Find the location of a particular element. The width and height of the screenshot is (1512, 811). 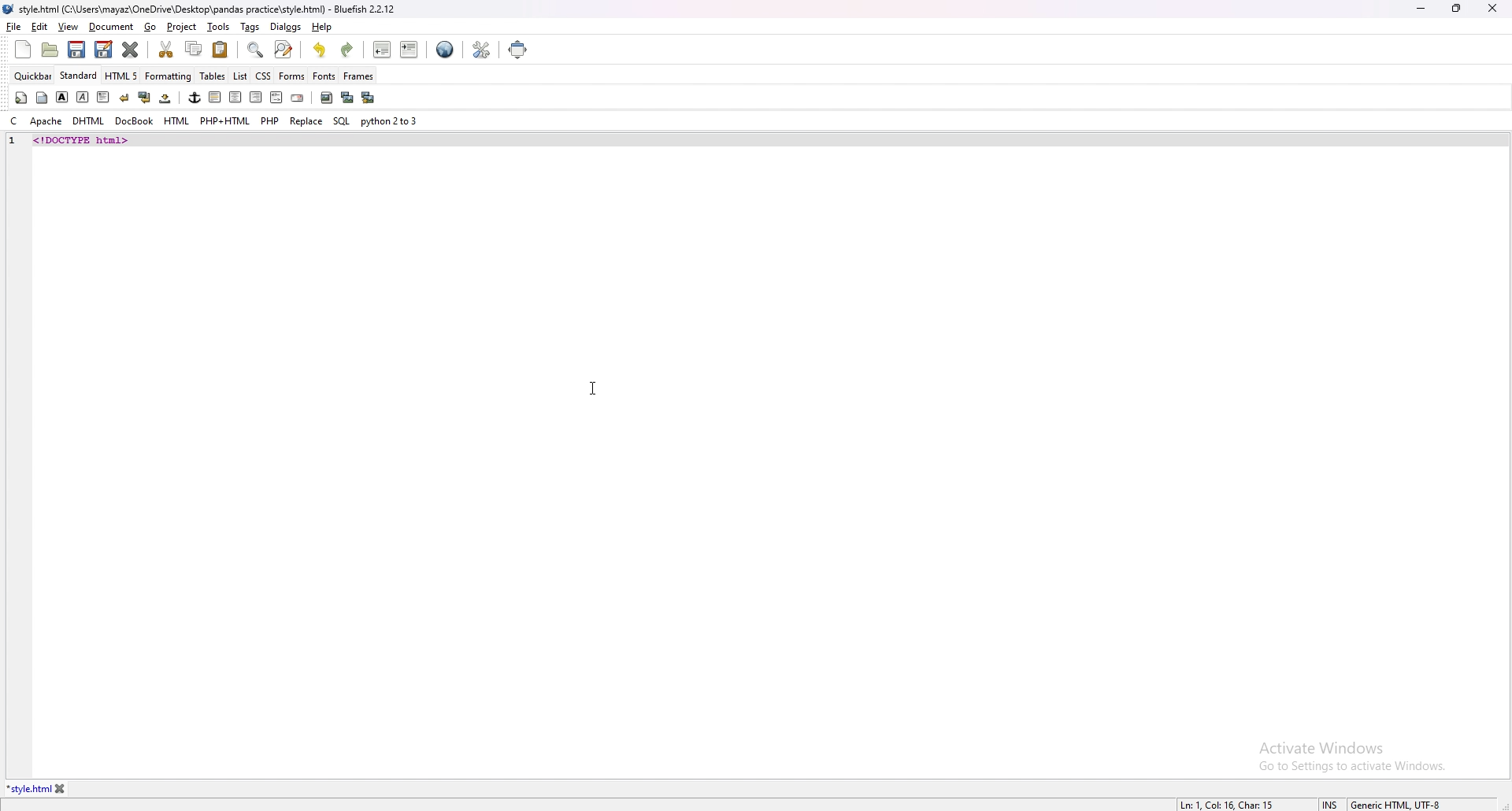

edit preference is located at coordinates (480, 49).